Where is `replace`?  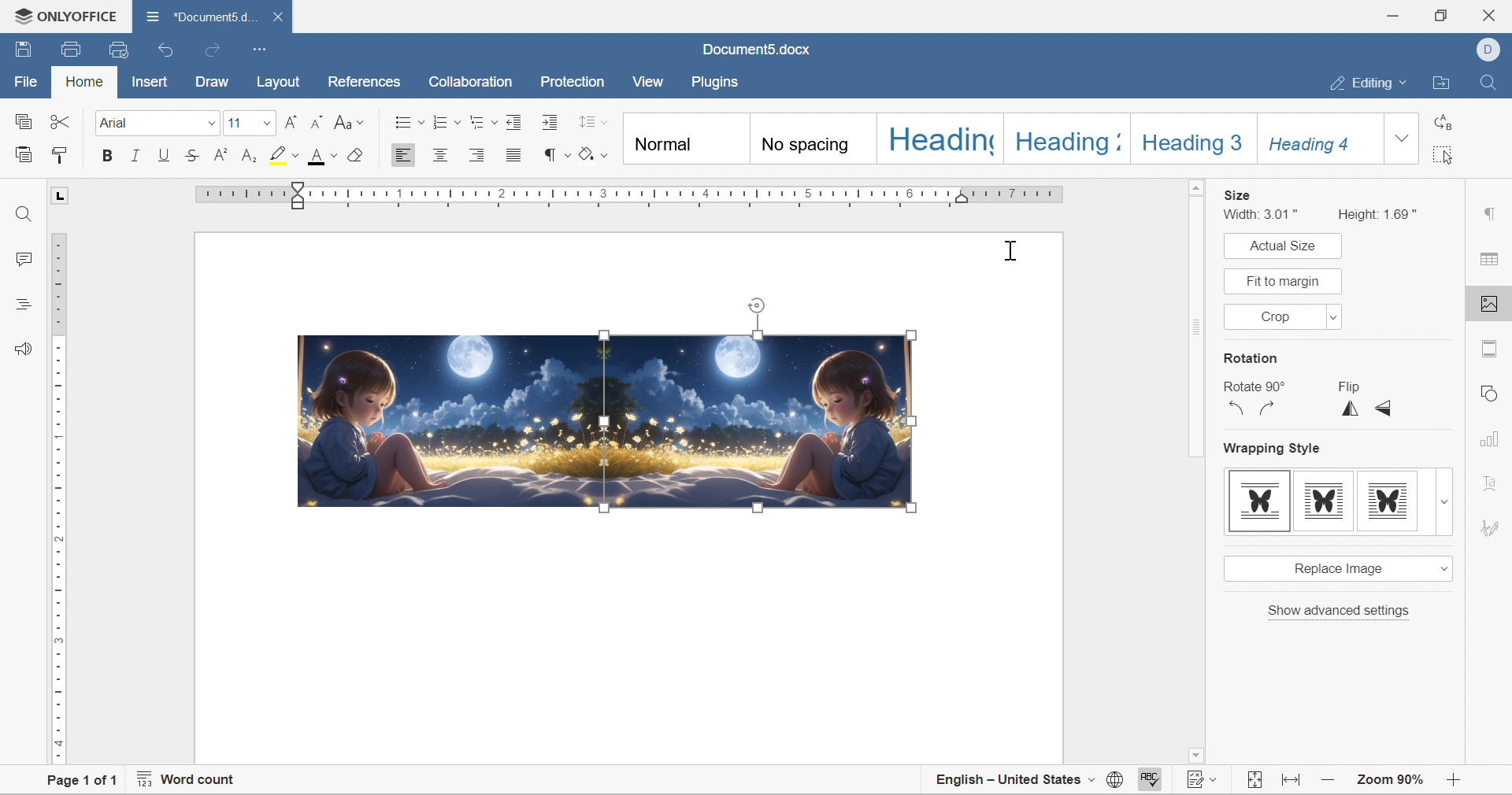
replace is located at coordinates (1441, 120).